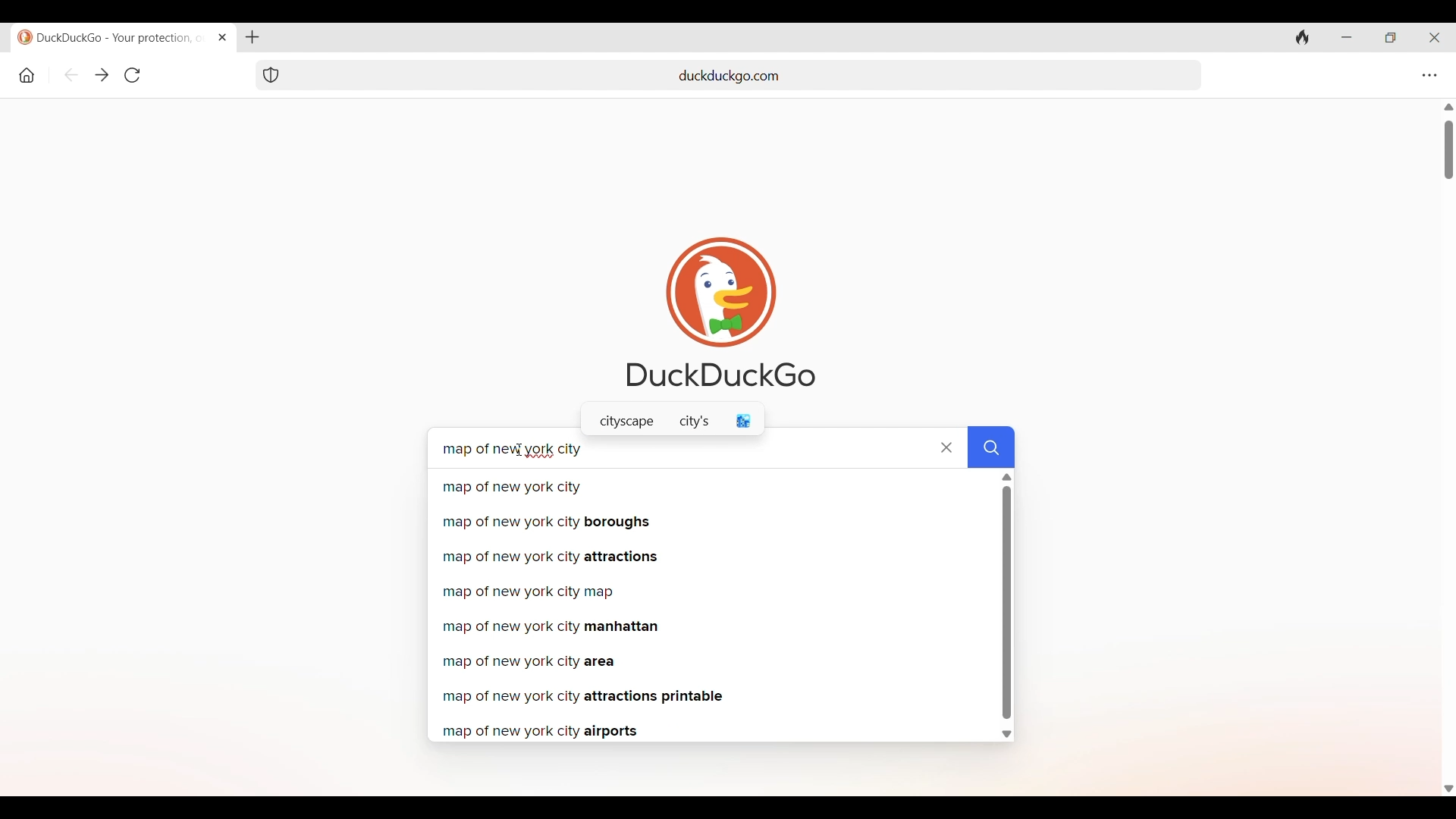  Describe the element at coordinates (713, 697) in the screenshot. I see `map of new york city attractions printable` at that location.